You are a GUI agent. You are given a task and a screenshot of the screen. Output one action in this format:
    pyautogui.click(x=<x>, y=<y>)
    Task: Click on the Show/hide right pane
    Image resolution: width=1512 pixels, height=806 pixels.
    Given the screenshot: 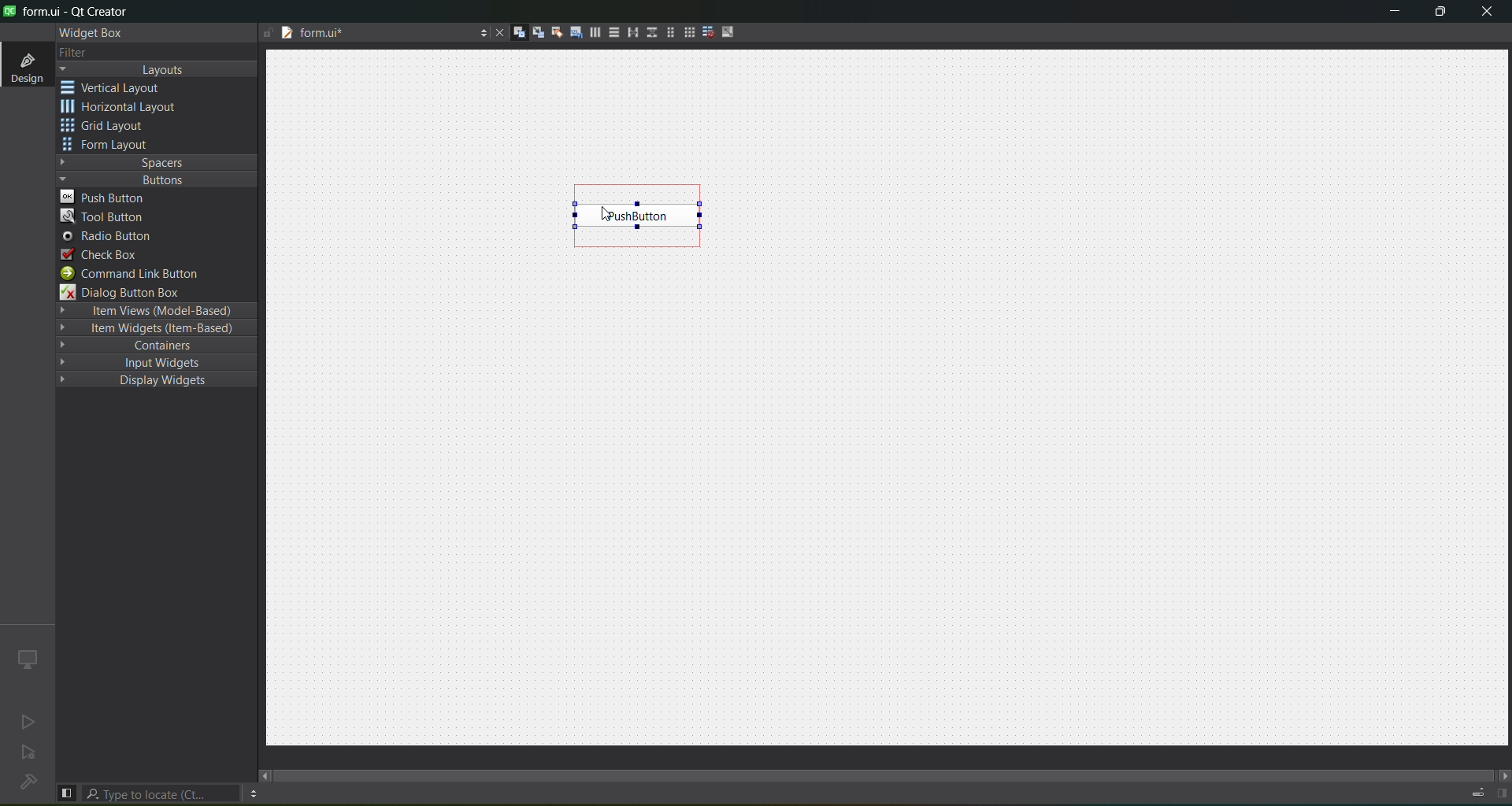 What is the action you would take?
    pyautogui.click(x=1499, y=793)
    